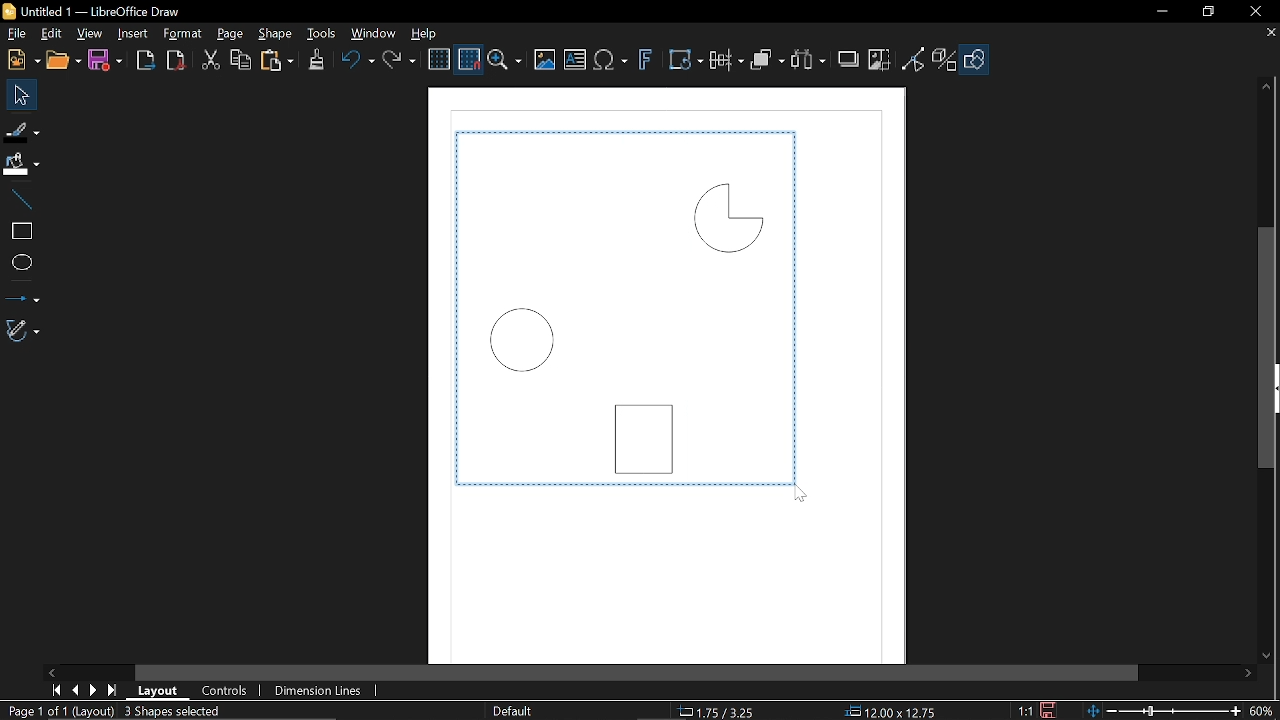 This screenshot has width=1280, height=720. Describe the element at coordinates (321, 34) in the screenshot. I see `Tools` at that location.